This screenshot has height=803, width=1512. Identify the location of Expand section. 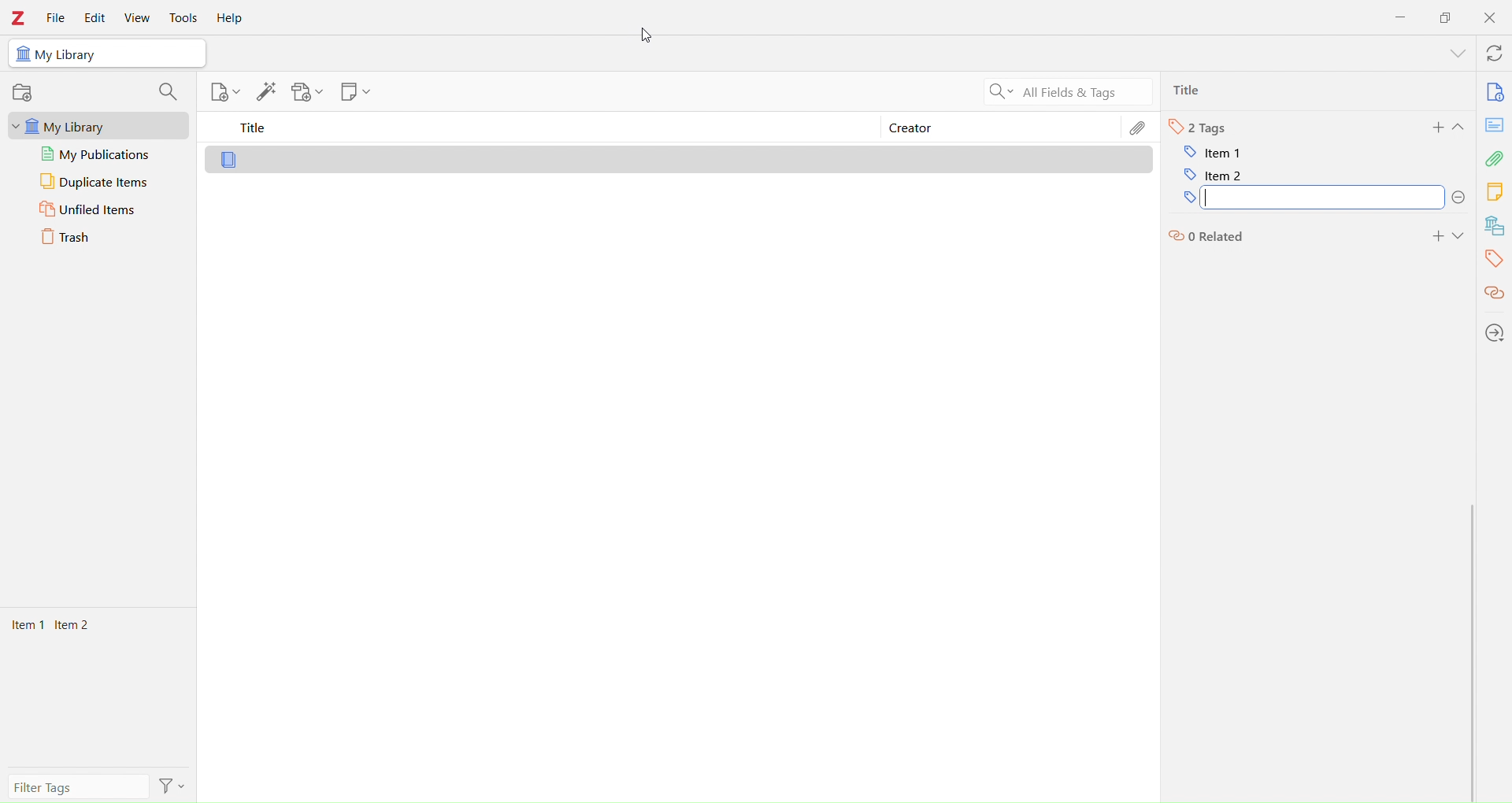
(1462, 132).